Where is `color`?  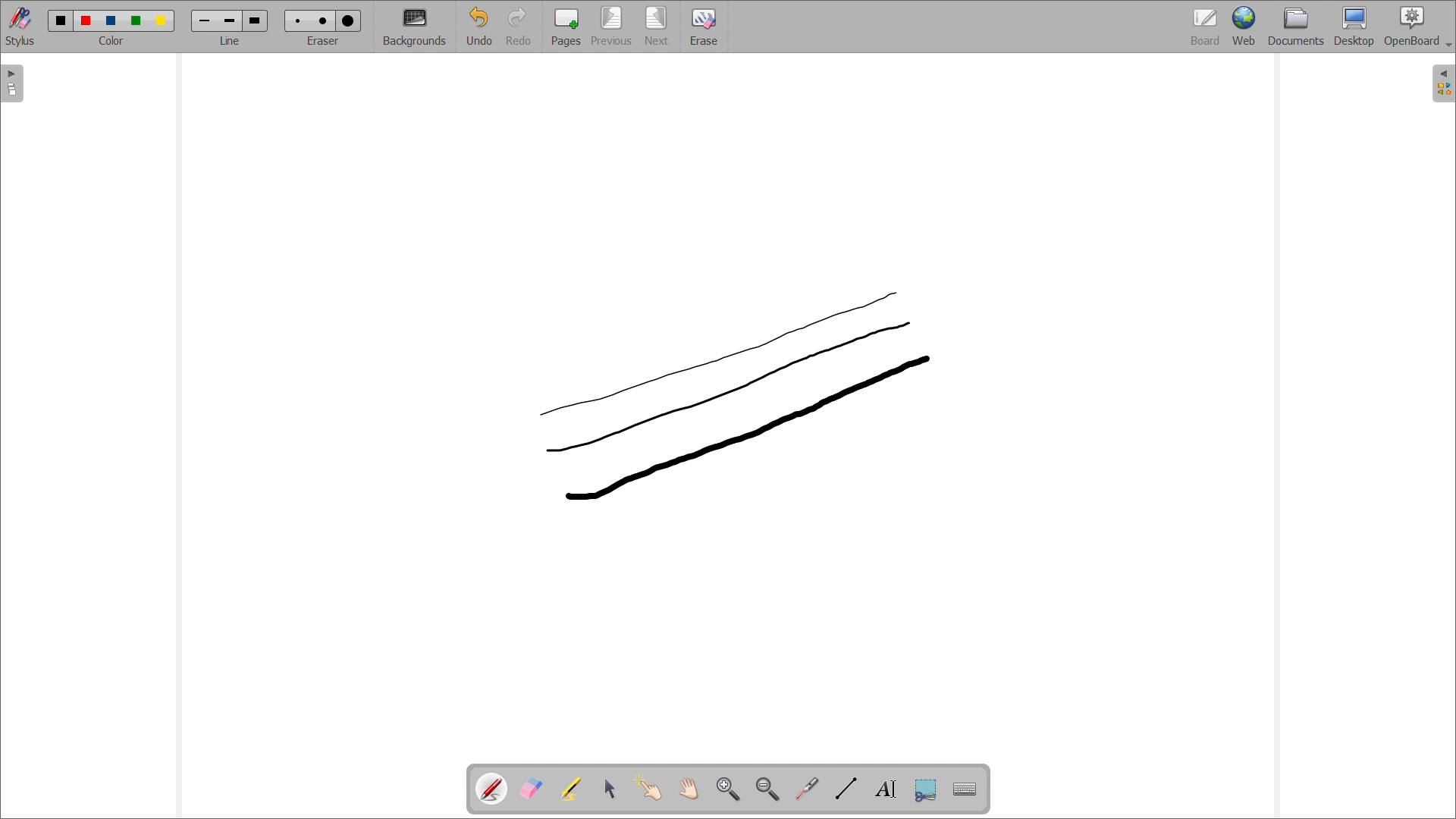
color is located at coordinates (114, 20).